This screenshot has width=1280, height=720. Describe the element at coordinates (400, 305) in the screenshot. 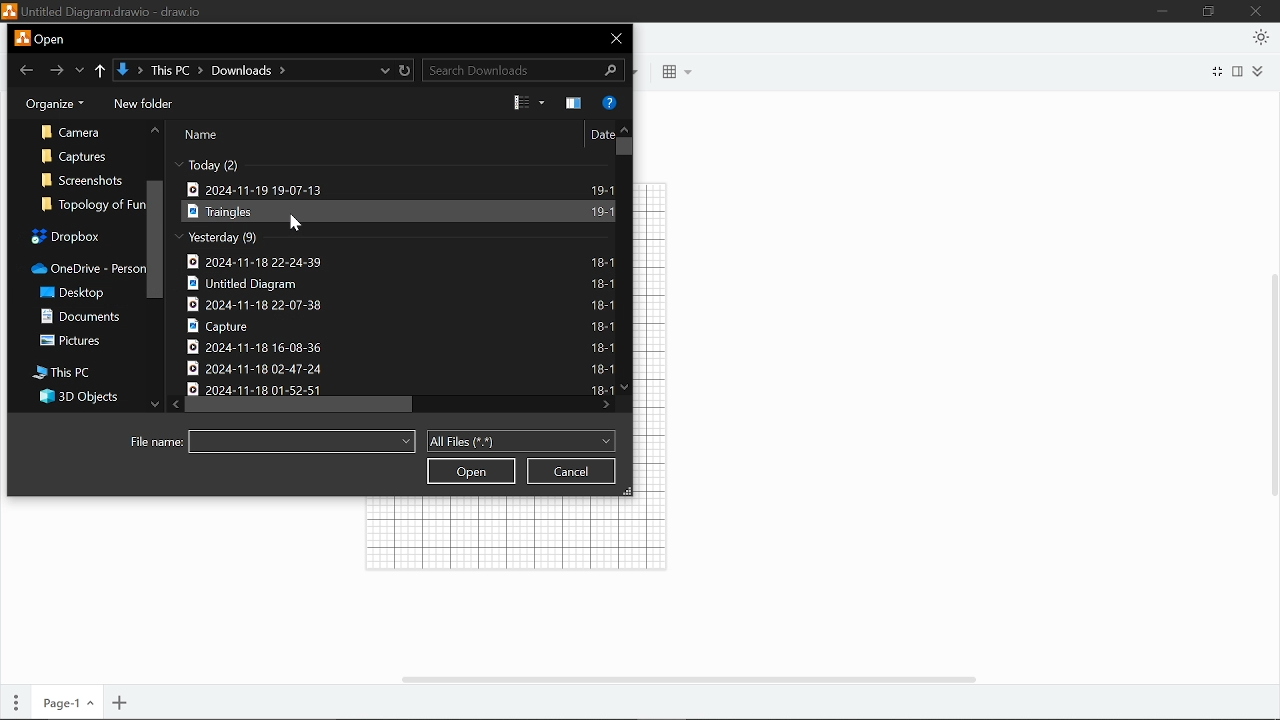

I see `2024-11-18 22-07-38   18-1` at that location.